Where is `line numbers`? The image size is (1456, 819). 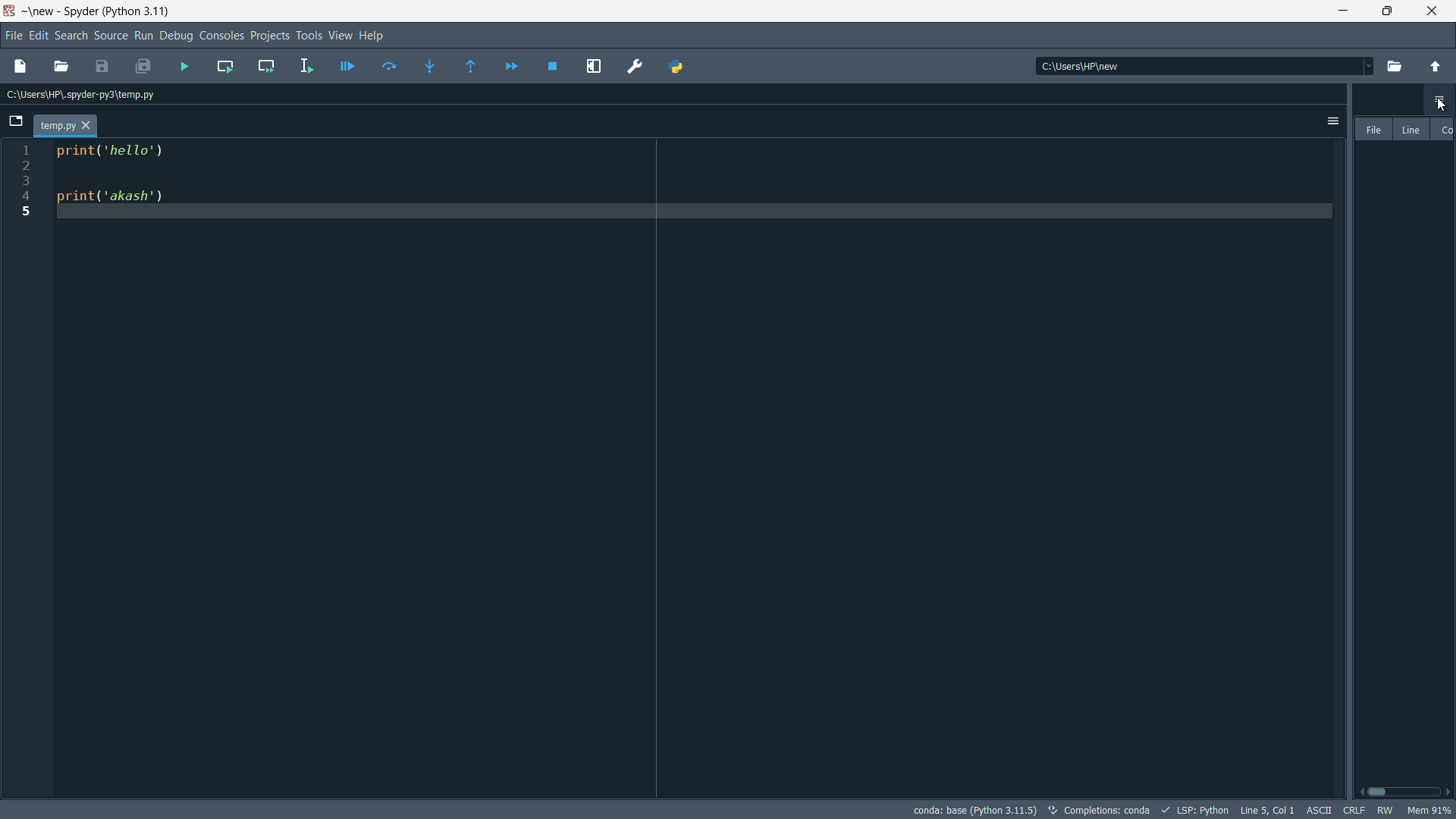
line numbers is located at coordinates (28, 469).